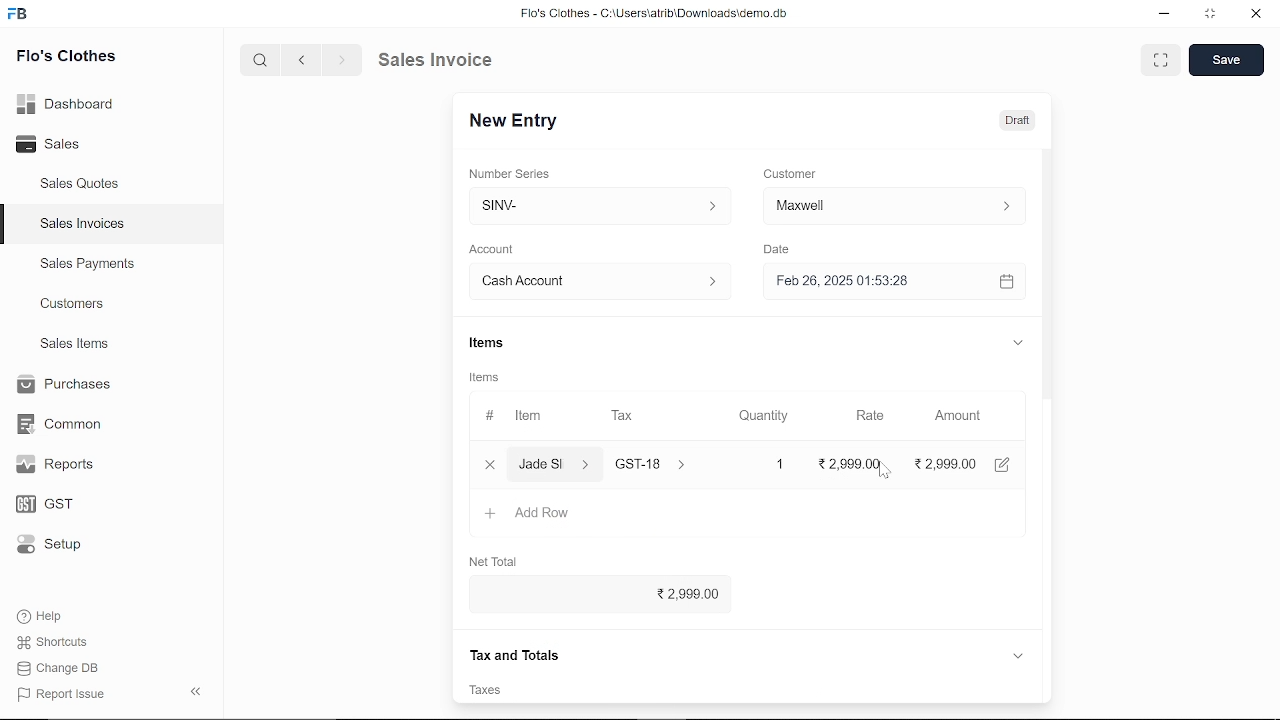 The width and height of the screenshot is (1280, 720). Describe the element at coordinates (73, 304) in the screenshot. I see `Customers.` at that location.